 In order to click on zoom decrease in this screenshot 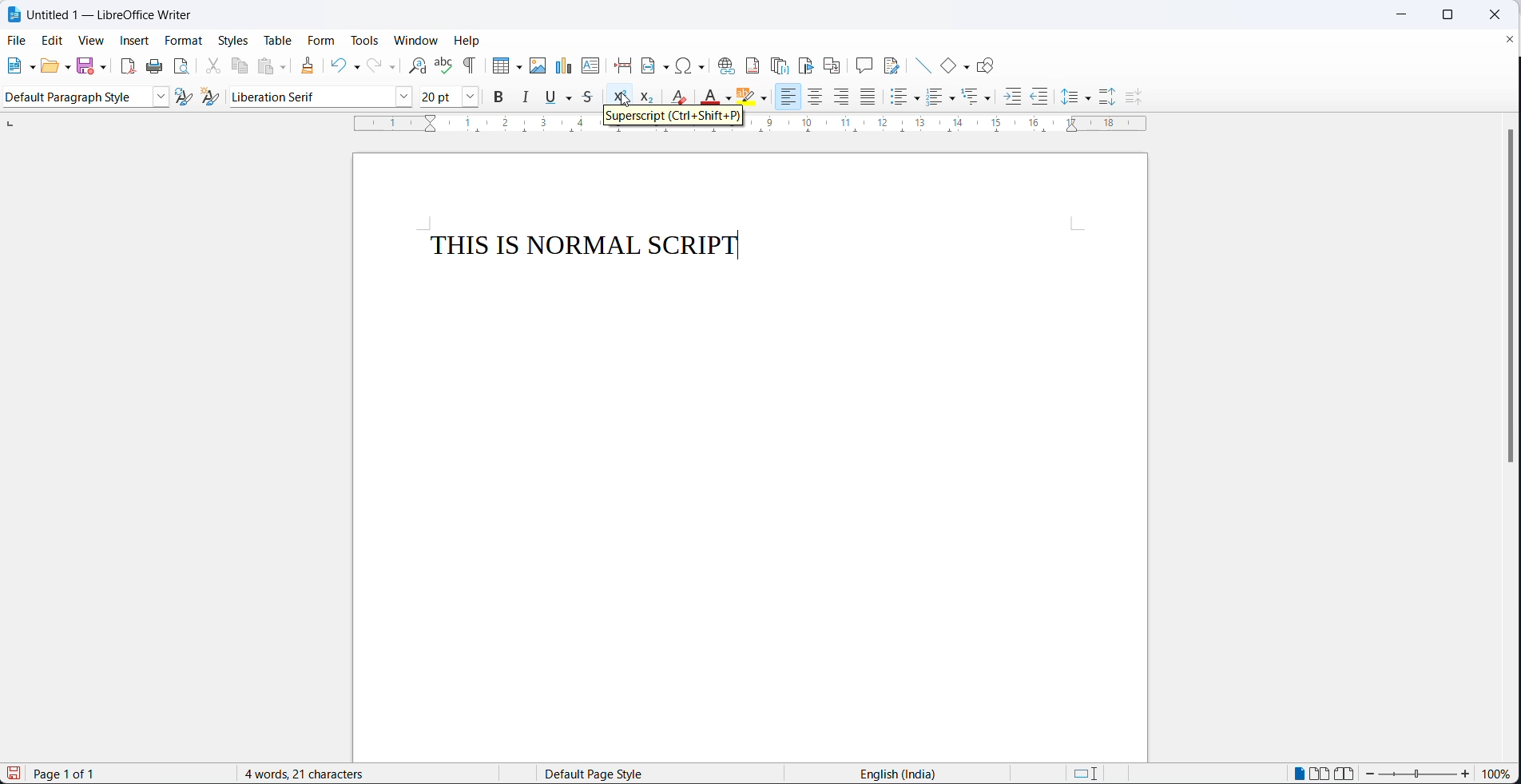, I will do `click(1464, 775)`.